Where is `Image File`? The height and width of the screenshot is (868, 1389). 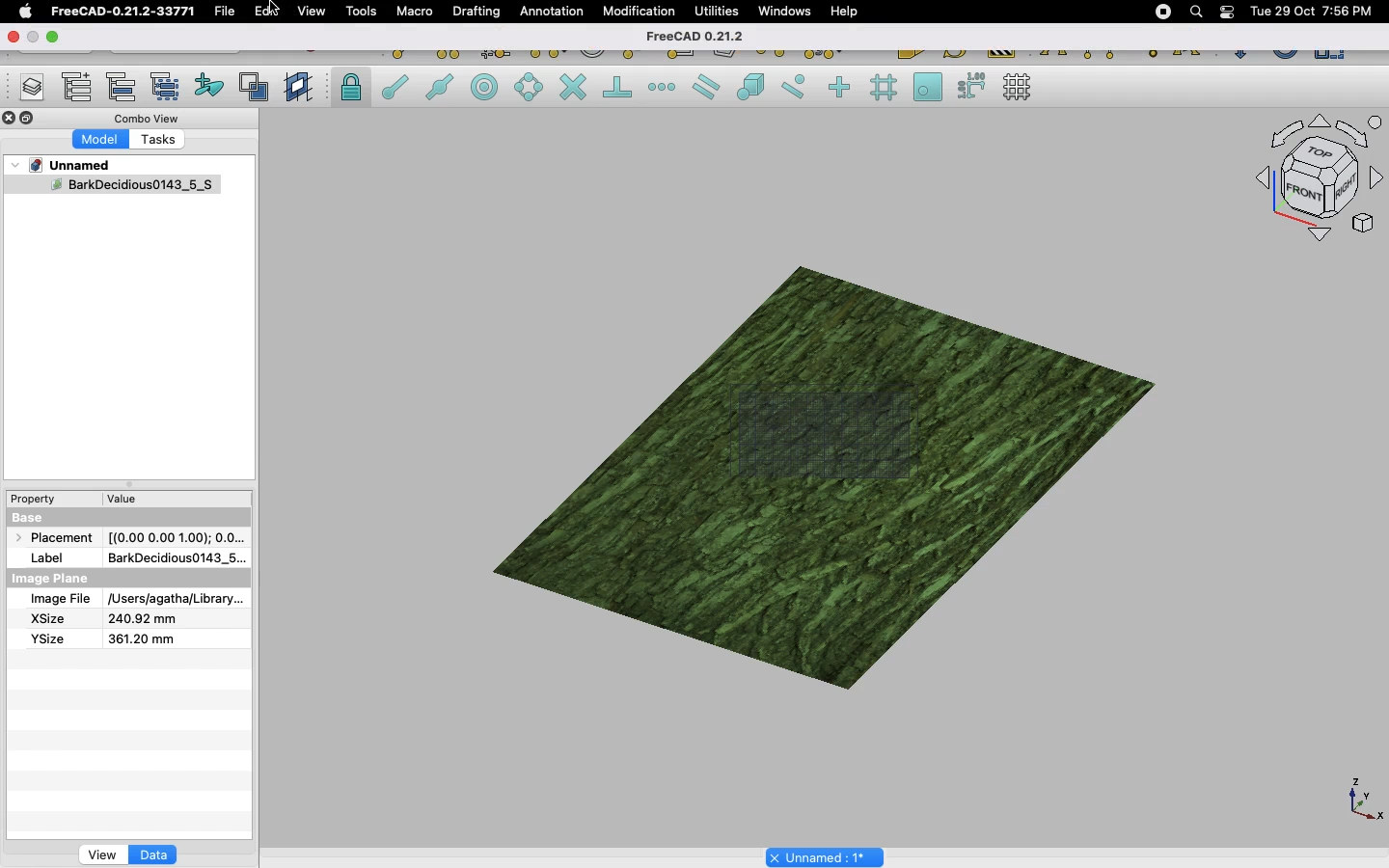 Image File is located at coordinates (60, 600).